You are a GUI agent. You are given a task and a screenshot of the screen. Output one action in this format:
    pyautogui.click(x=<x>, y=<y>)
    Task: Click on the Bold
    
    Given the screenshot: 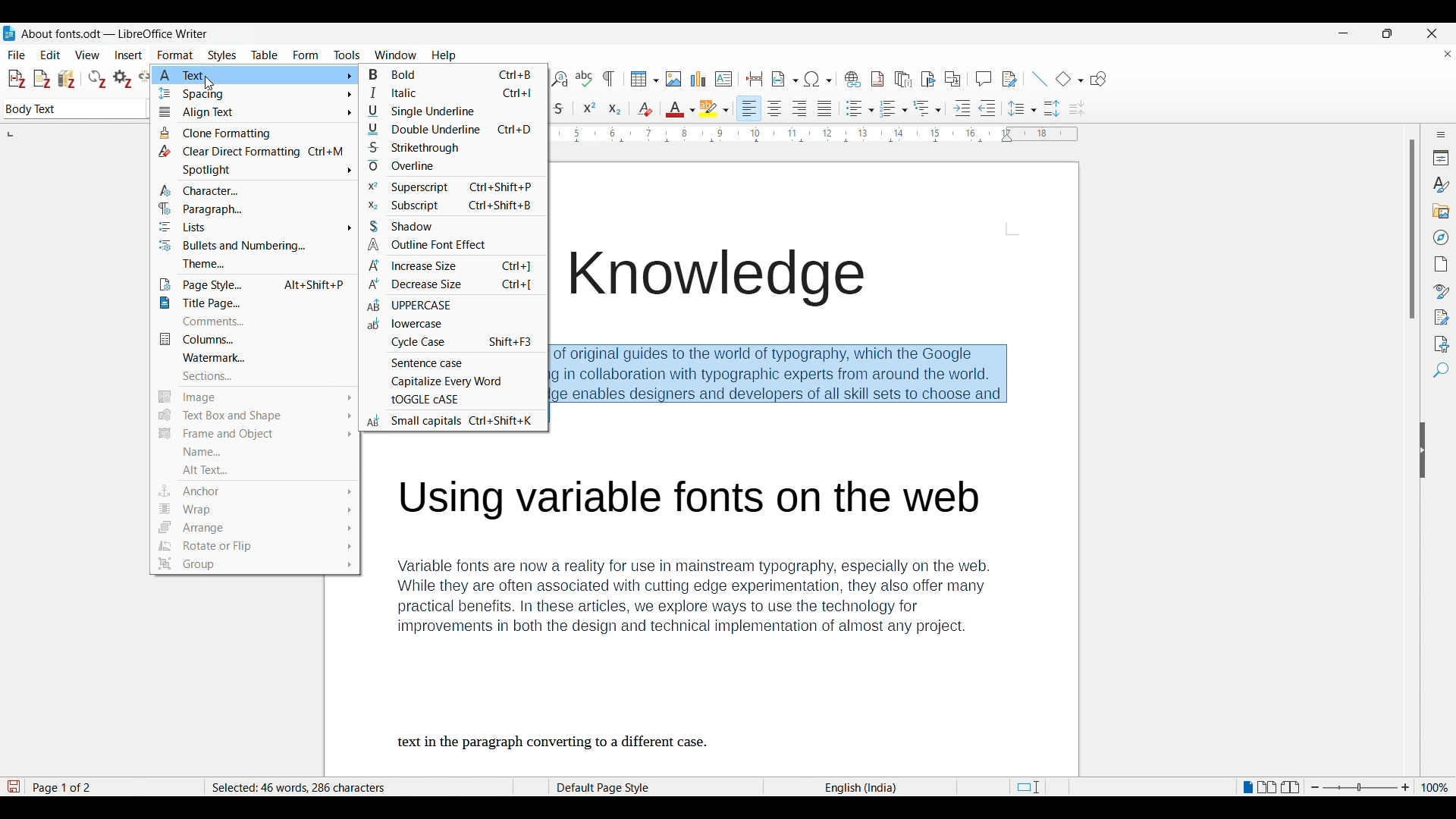 What is the action you would take?
    pyautogui.click(x=447, y=76)
    